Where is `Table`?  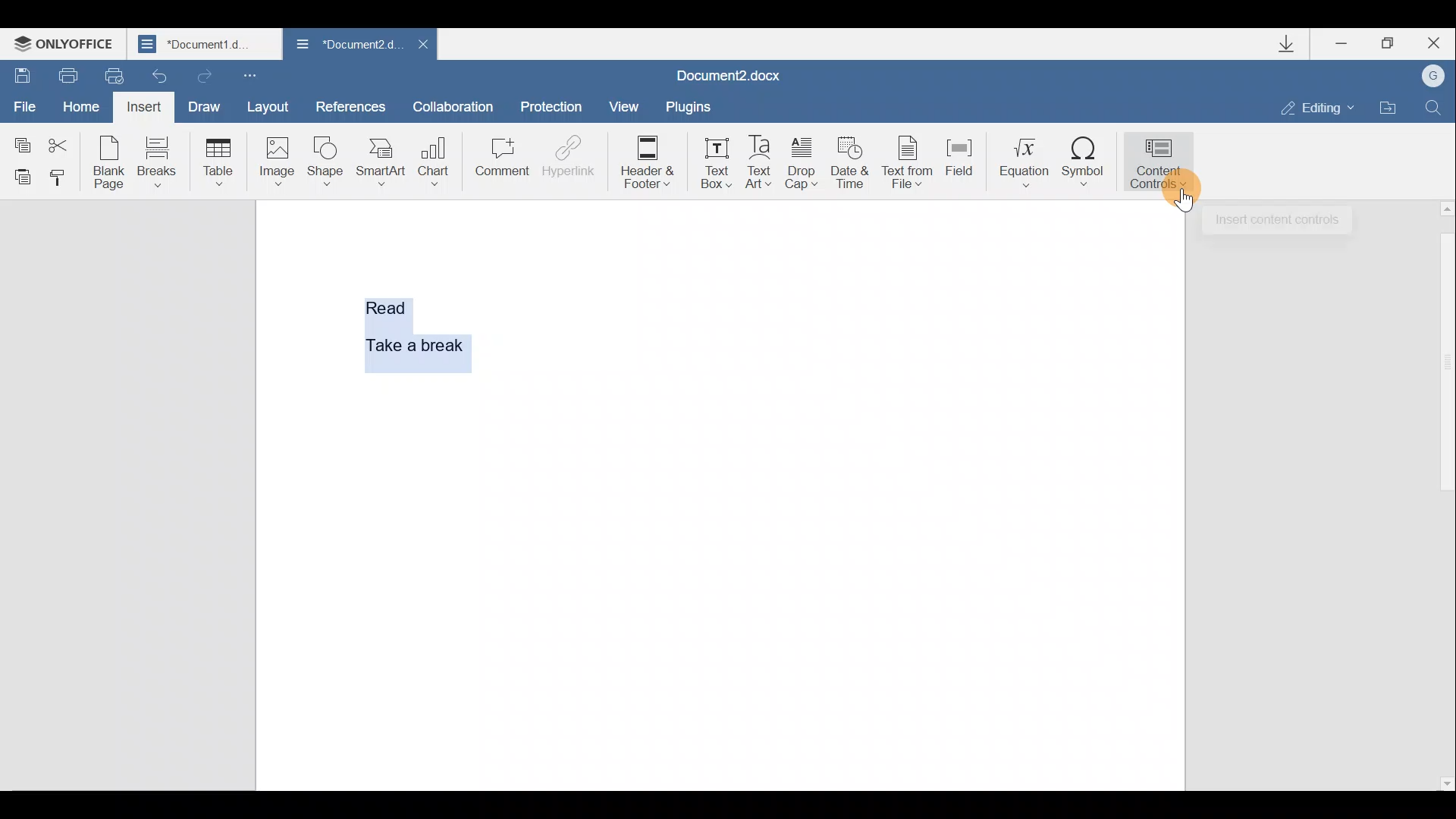 Table is located at coordinates (215, 159).